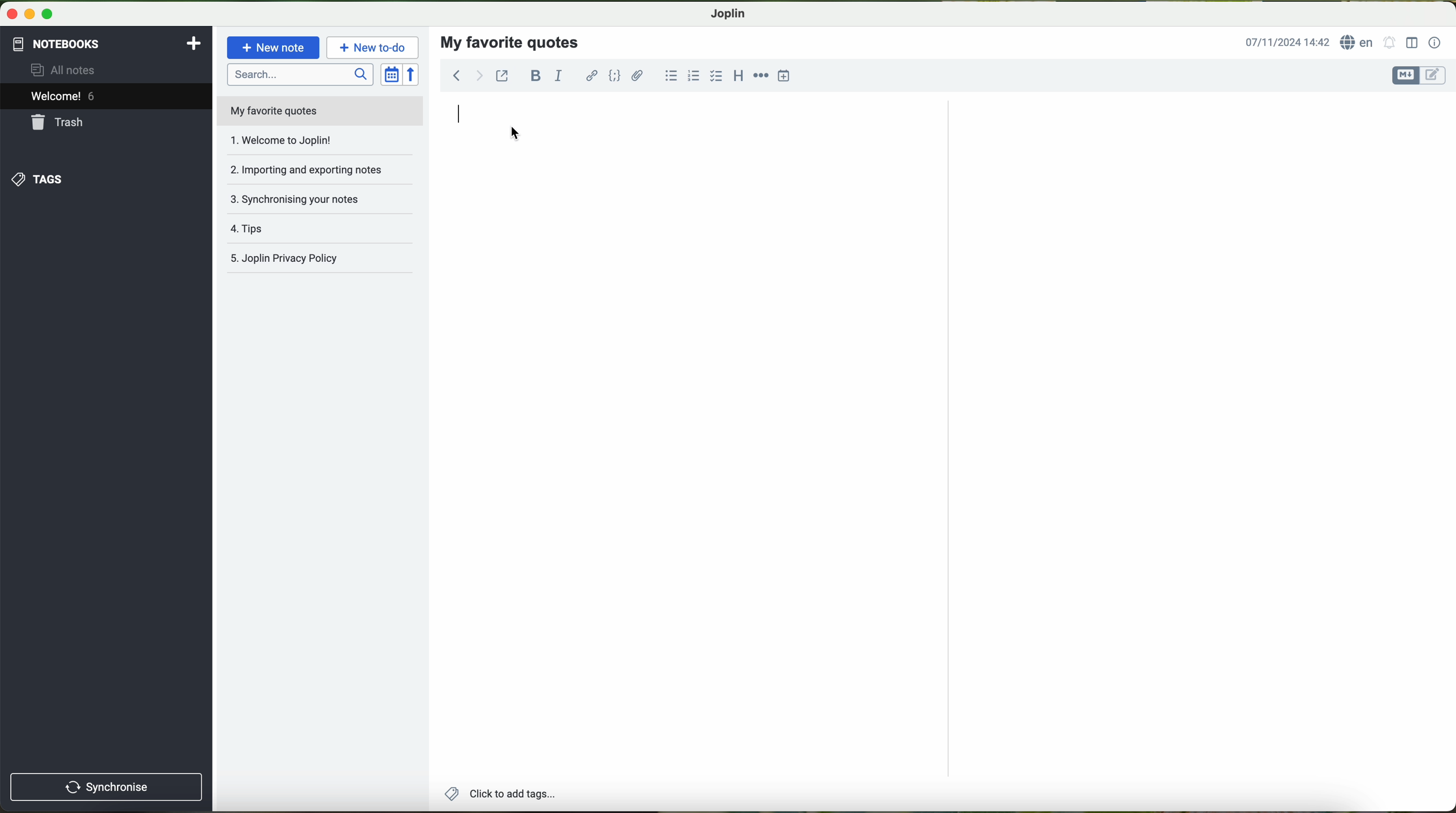  Describe the element at coordinates (318, 198) in the screenshot. I see `synchronising your notes` at that location.